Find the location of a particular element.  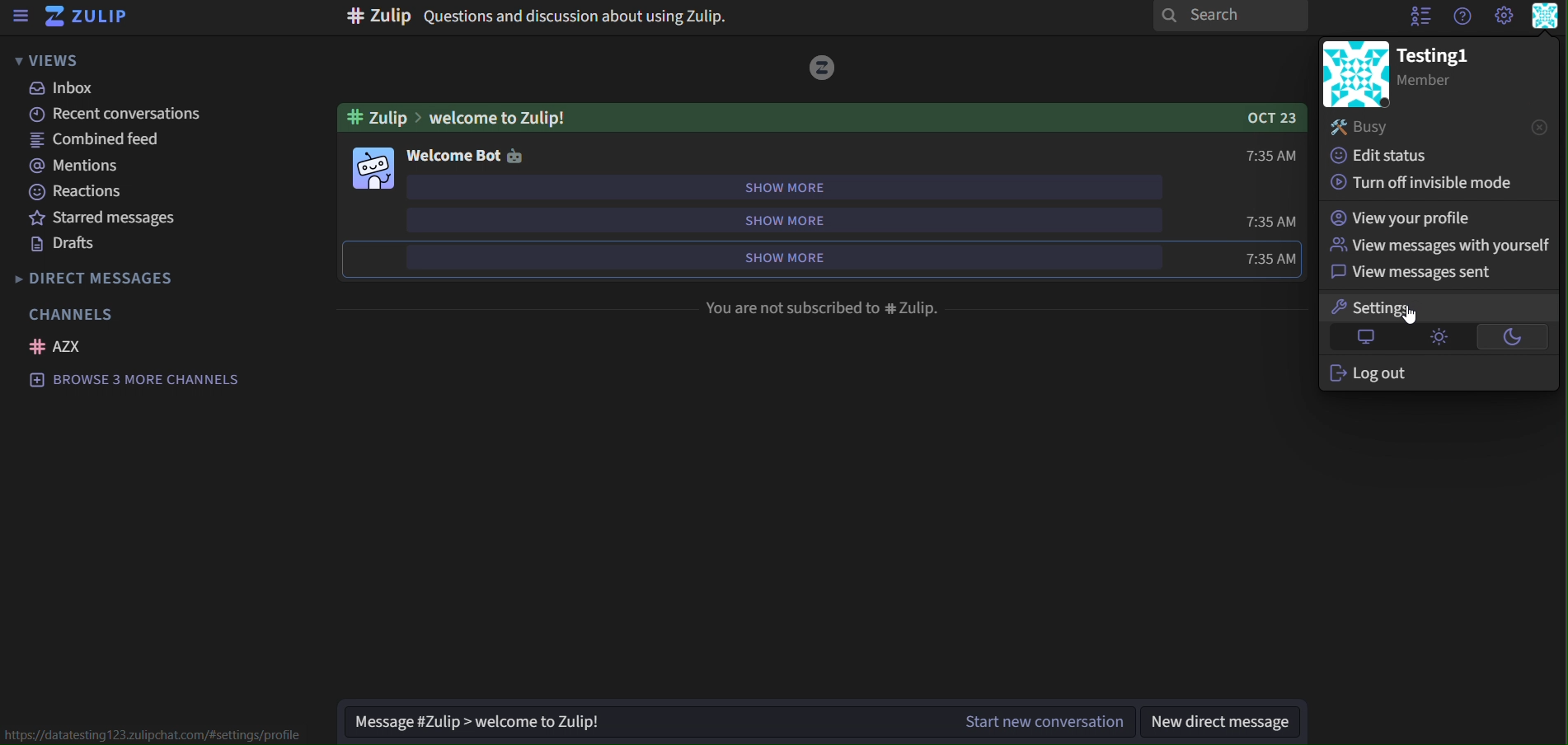

show more is located at coordinates (788, 223).